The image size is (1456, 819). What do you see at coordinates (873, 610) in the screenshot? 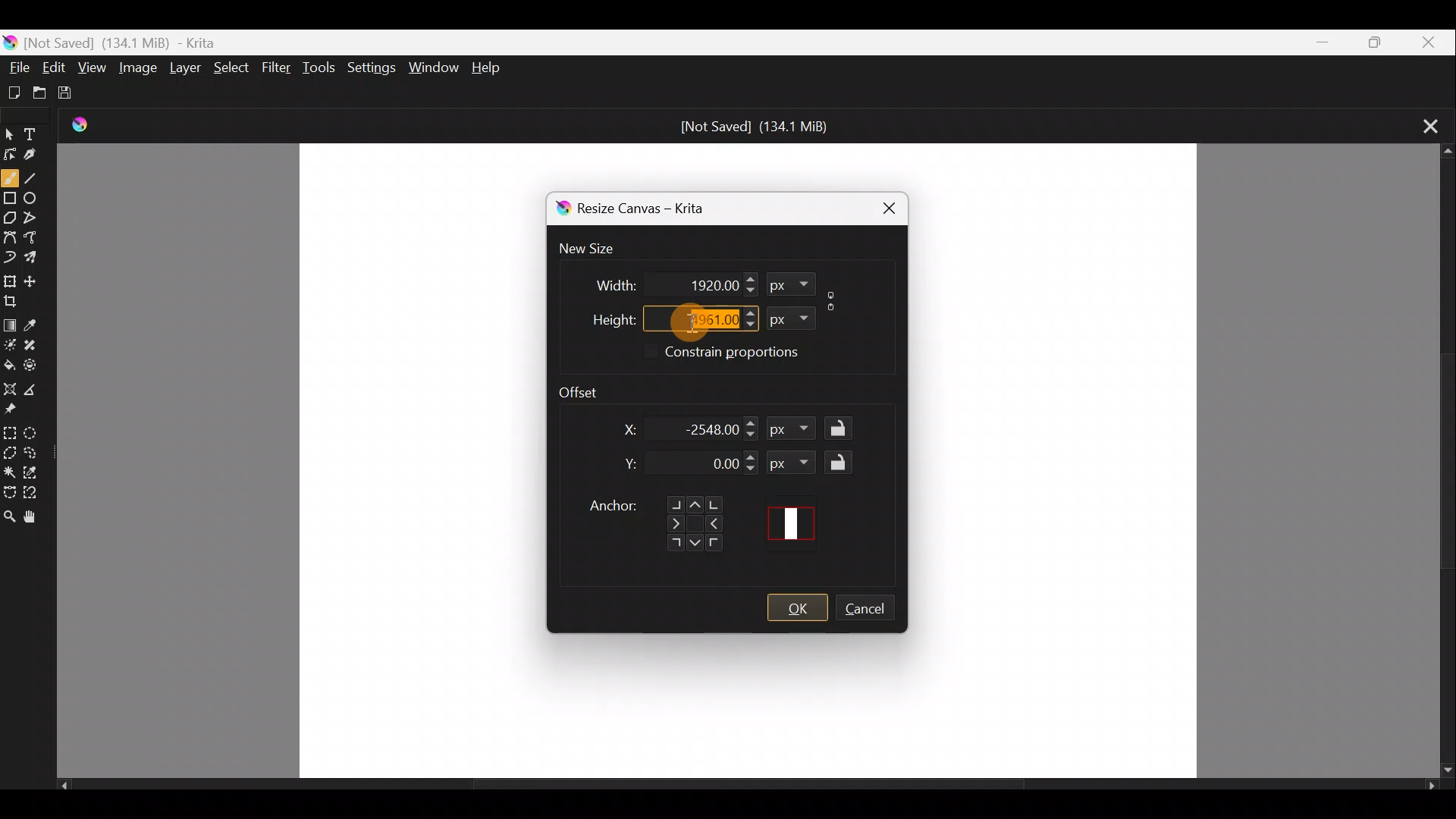
I see `Cancel` at bounding box center [873, 610].